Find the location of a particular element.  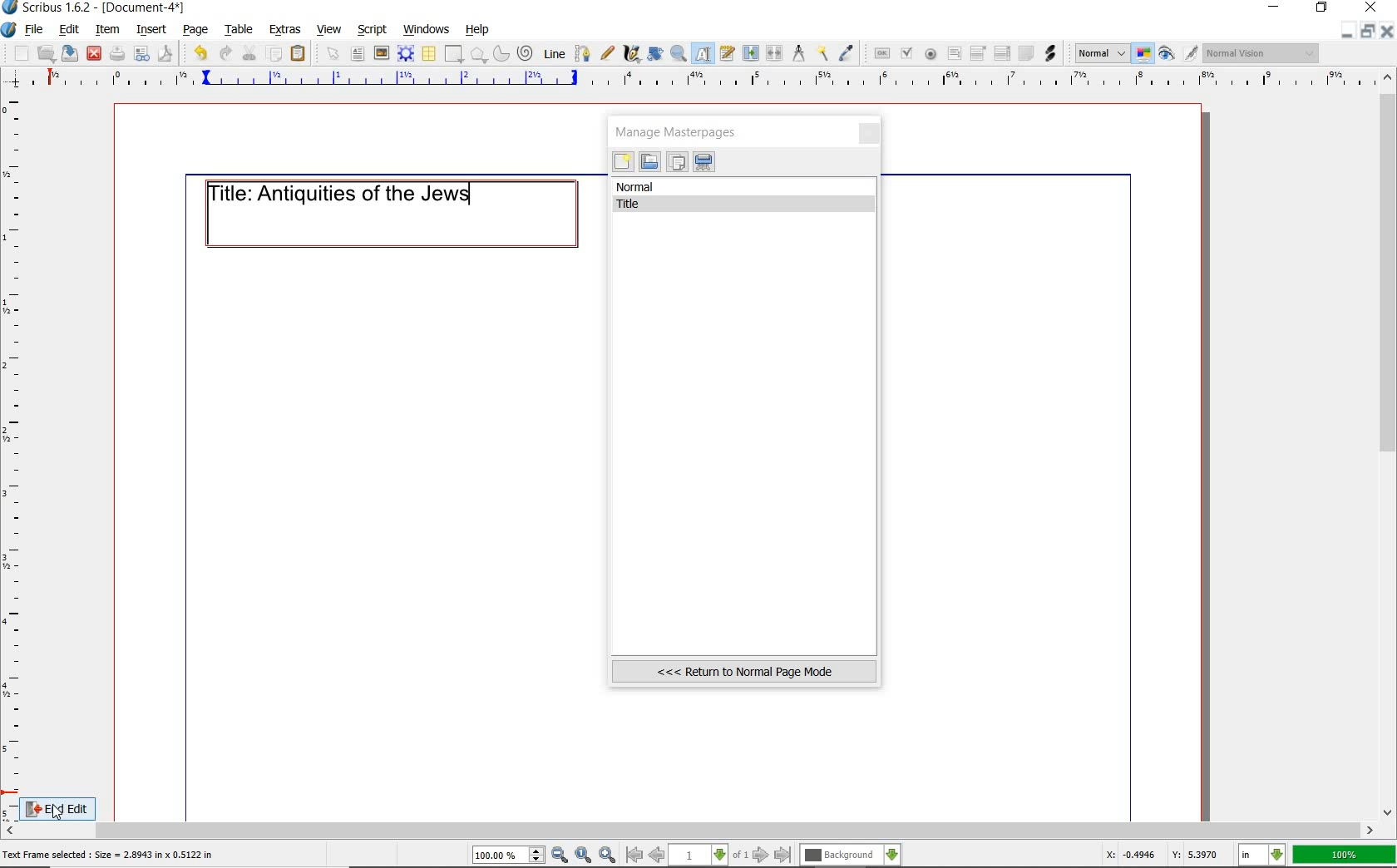

pdf list box is located at coordinates (1001, 55).